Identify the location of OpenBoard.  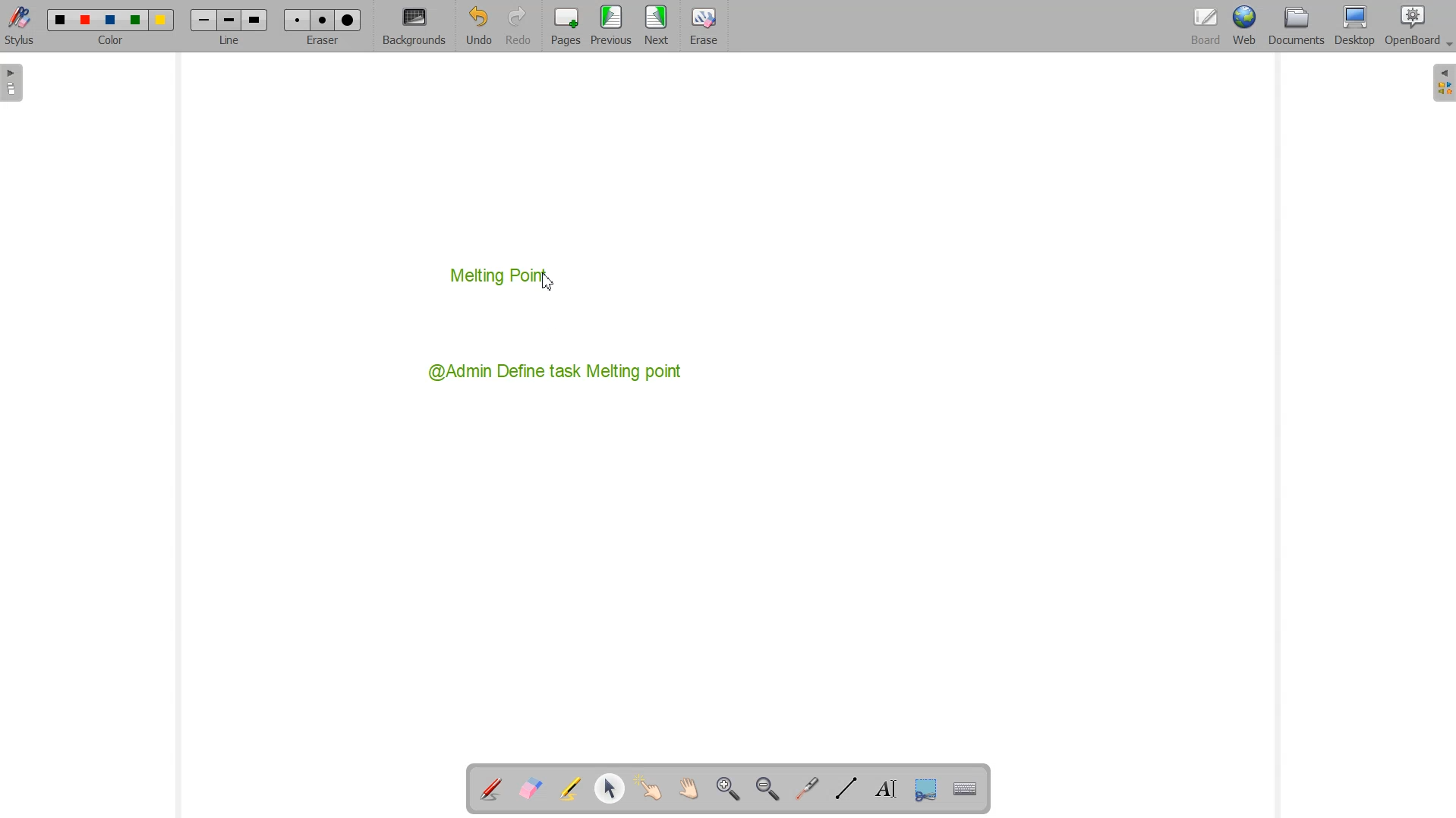
(1411, 27).